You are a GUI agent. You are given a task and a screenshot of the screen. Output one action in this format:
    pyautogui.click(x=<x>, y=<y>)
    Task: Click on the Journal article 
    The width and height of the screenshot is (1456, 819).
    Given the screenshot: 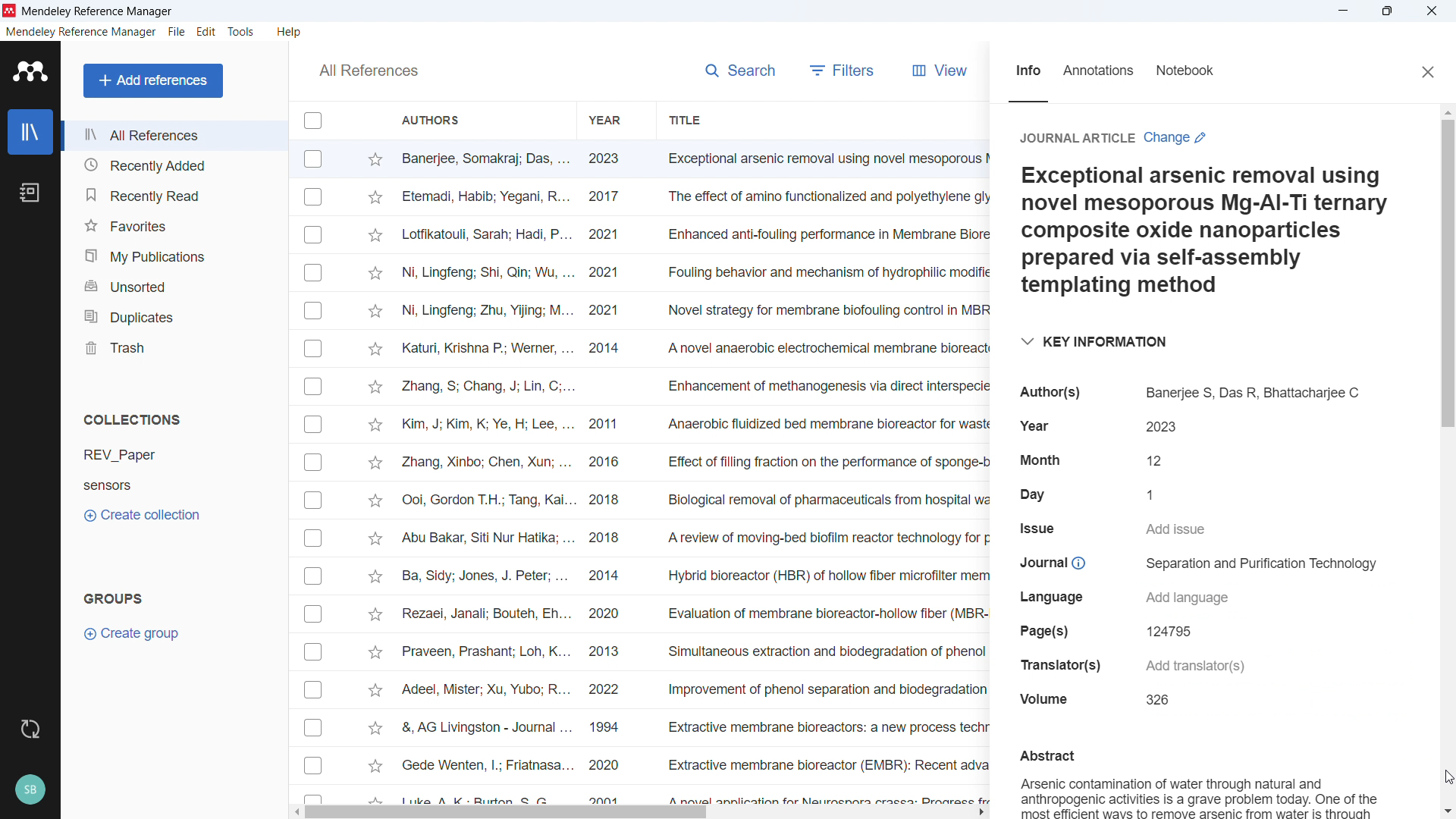 What is the action you would take?
    pyautogui.click(x=1077, y=140)
    